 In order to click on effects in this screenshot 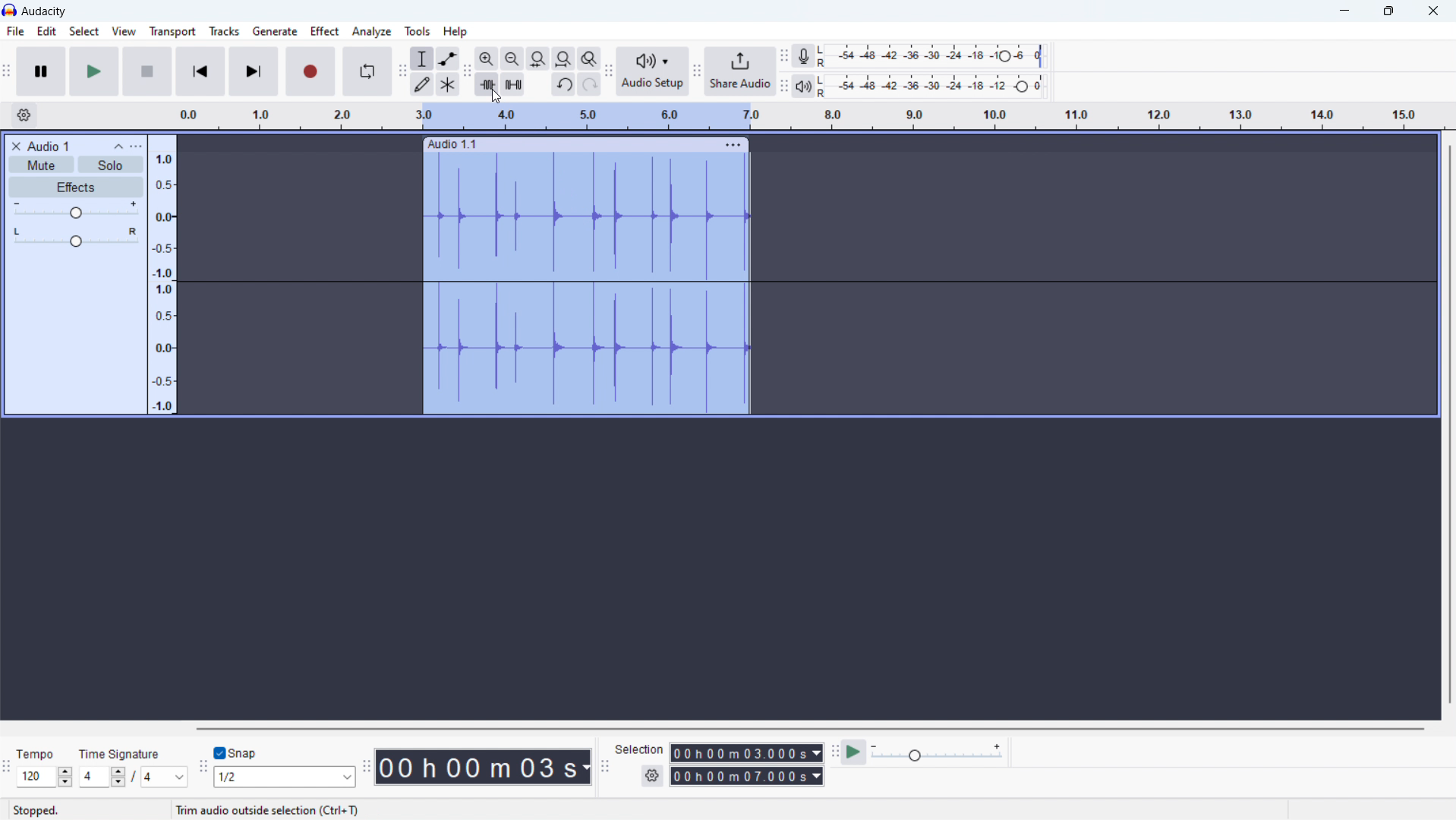, I will do `click(76, 187)`.